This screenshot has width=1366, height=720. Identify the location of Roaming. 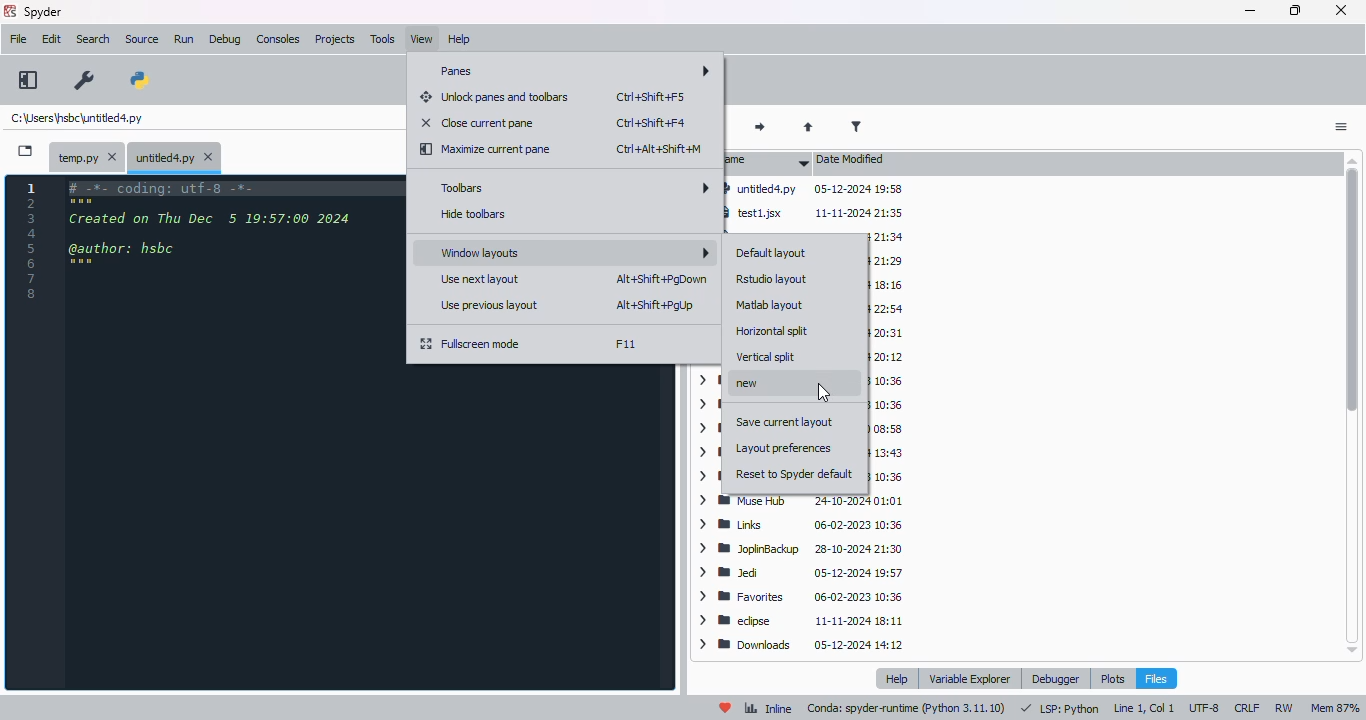
(888, 428).